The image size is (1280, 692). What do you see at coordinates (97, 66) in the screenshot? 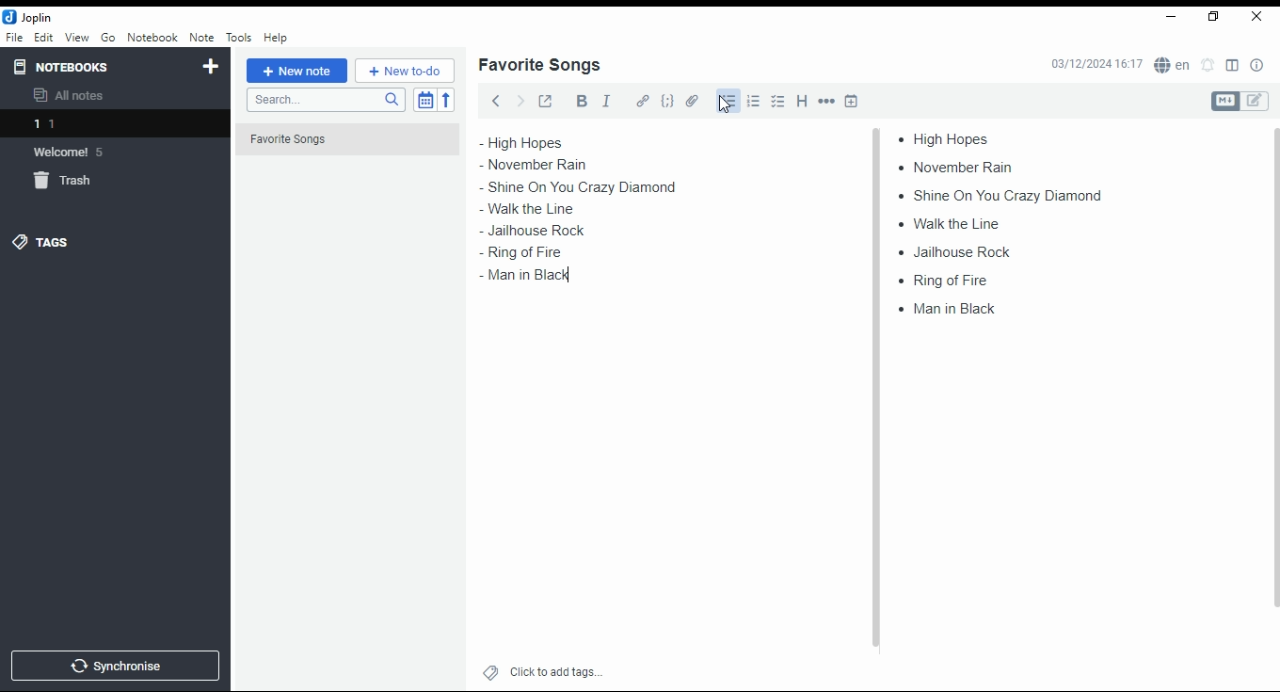
I see `notebooks` at bounding box center [97, 66].